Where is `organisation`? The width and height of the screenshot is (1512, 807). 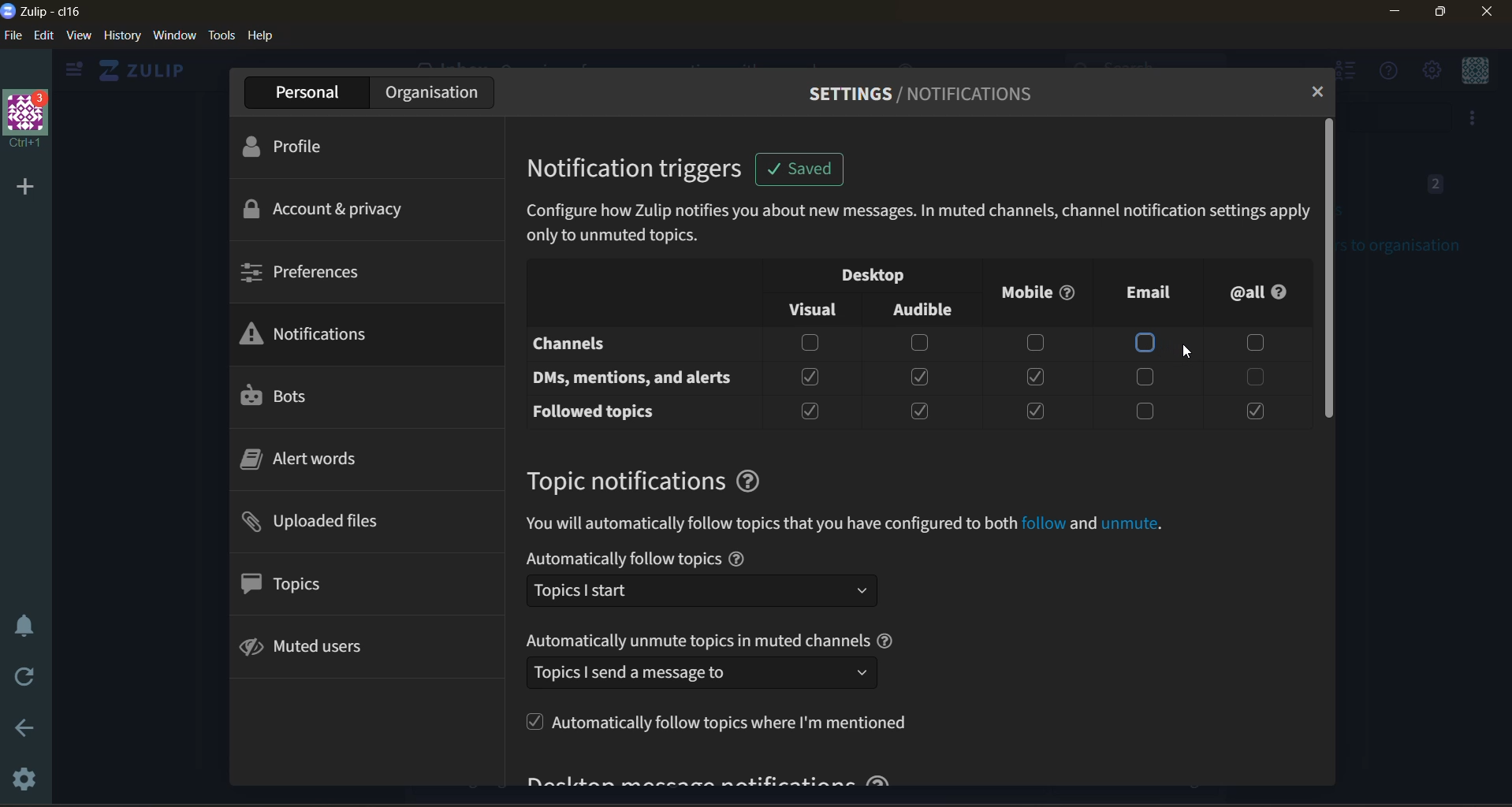 organisation is located at coordinates (437, 93).